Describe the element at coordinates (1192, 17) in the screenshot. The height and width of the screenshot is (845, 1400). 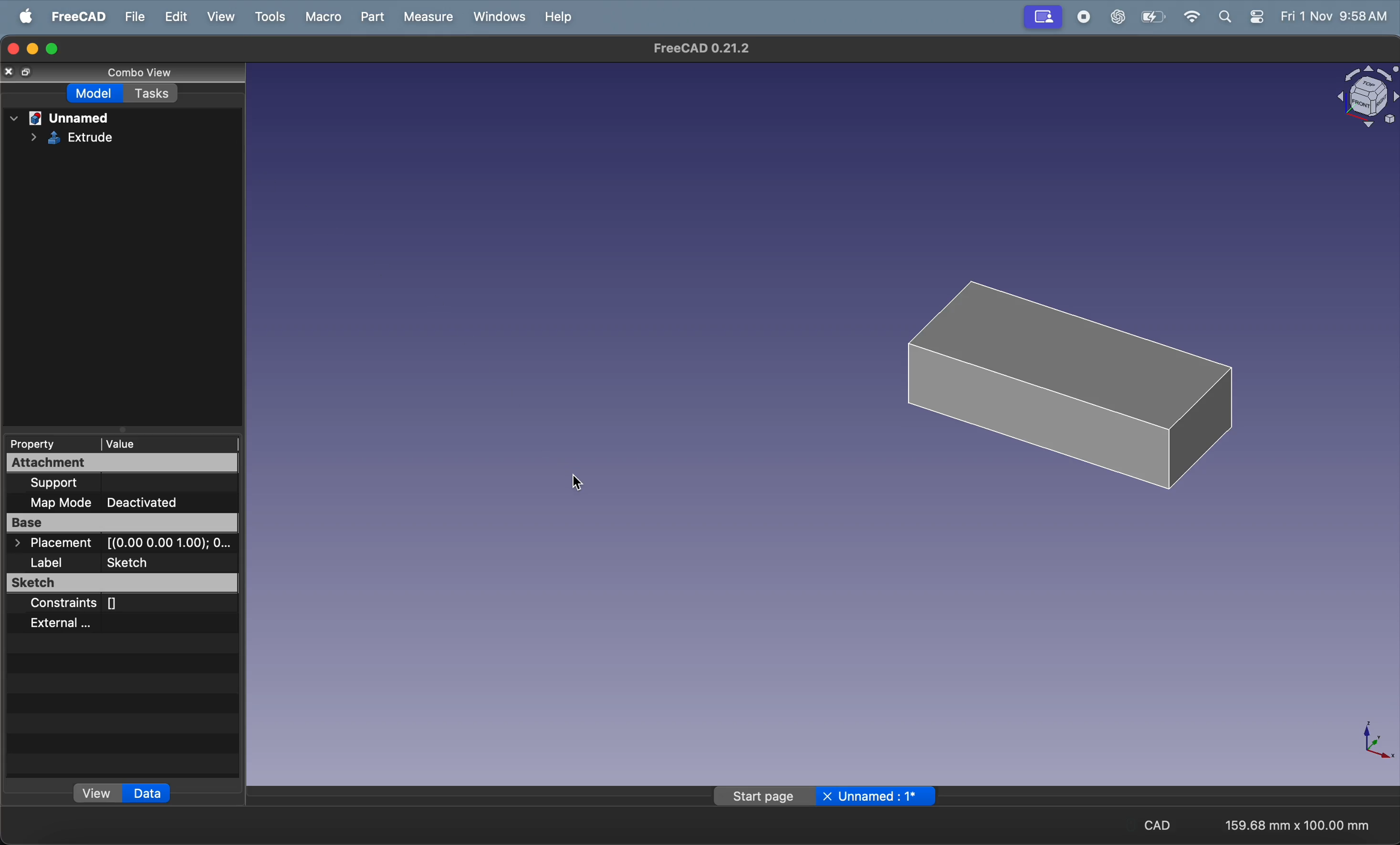
I see `wifi` at that location.